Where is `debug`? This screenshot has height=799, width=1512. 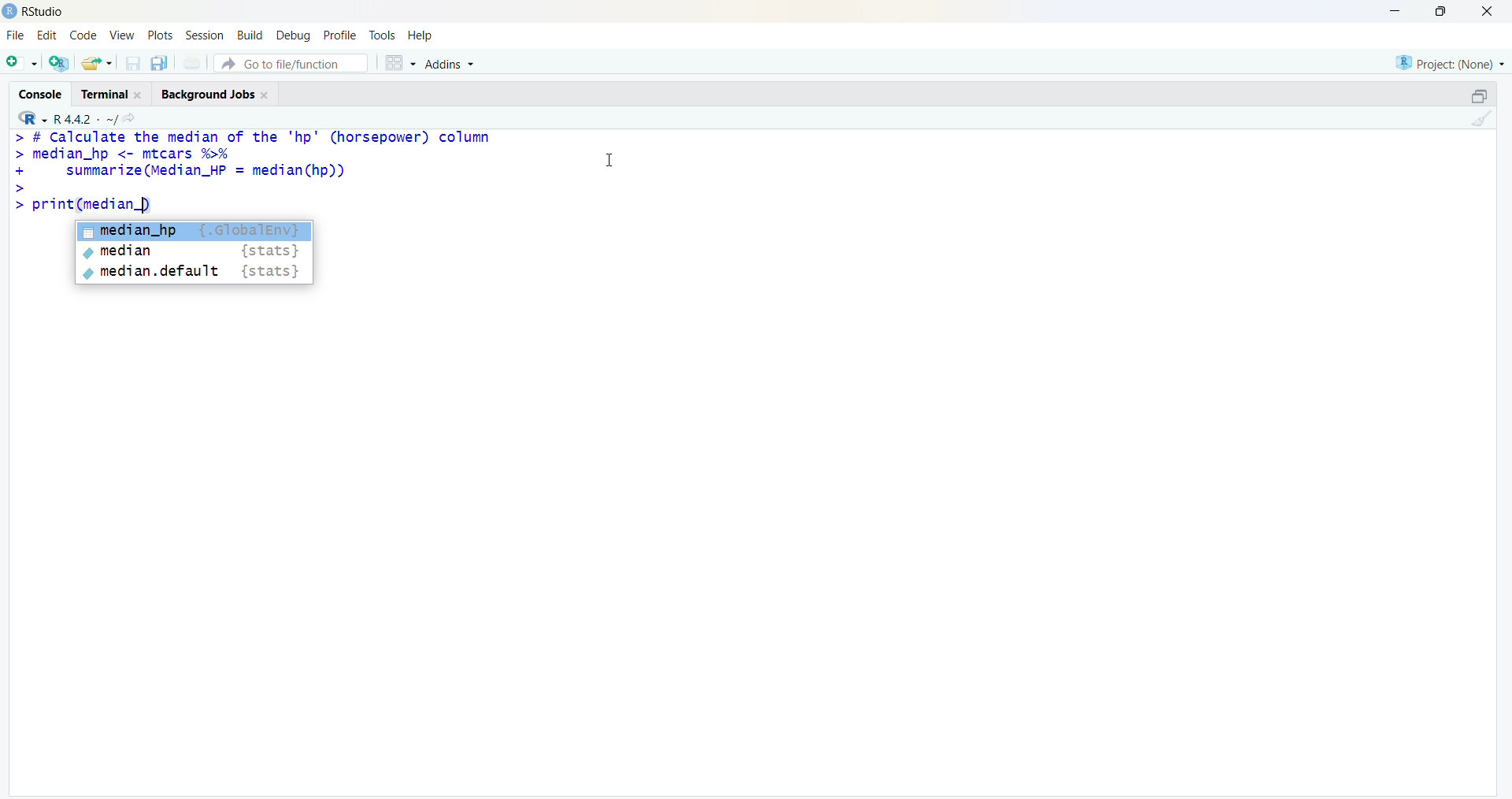
debug is located at coordinates (293, 37).